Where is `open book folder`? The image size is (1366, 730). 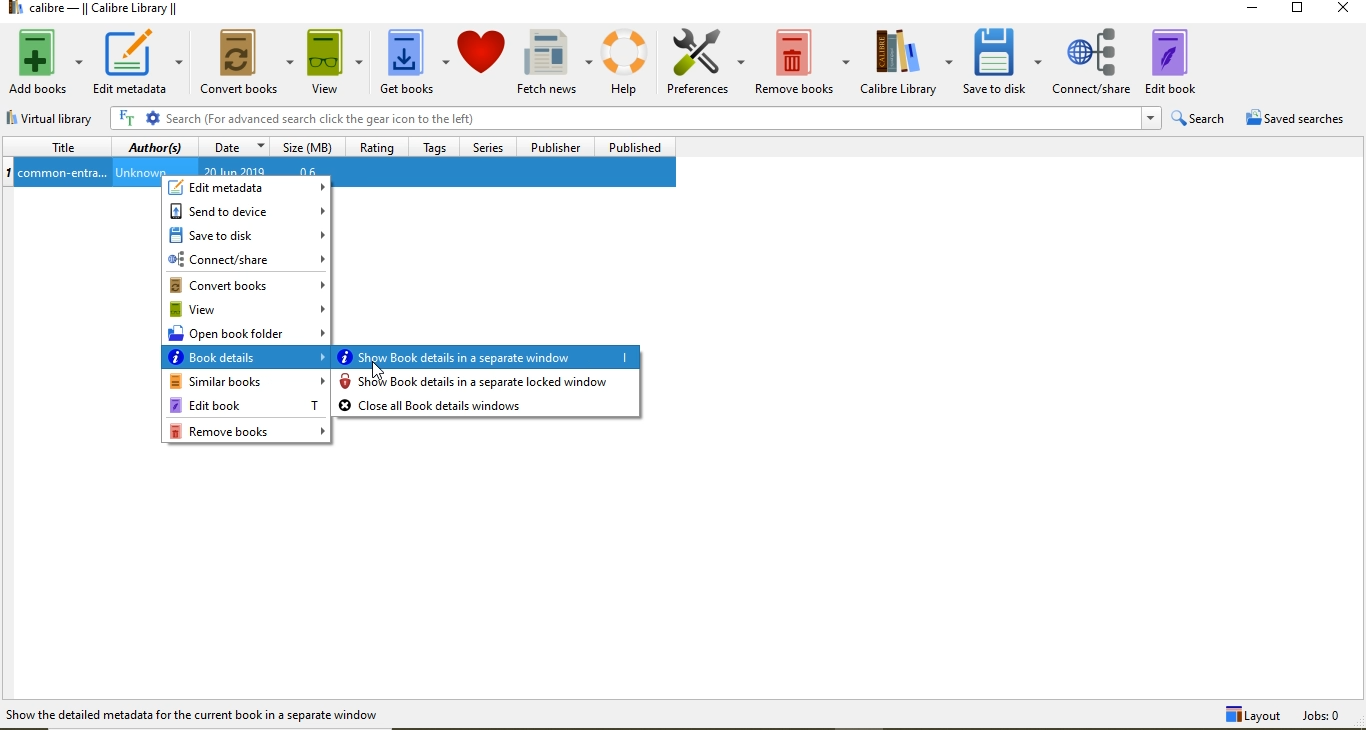
open book folder is located at coordinates (249, 335).